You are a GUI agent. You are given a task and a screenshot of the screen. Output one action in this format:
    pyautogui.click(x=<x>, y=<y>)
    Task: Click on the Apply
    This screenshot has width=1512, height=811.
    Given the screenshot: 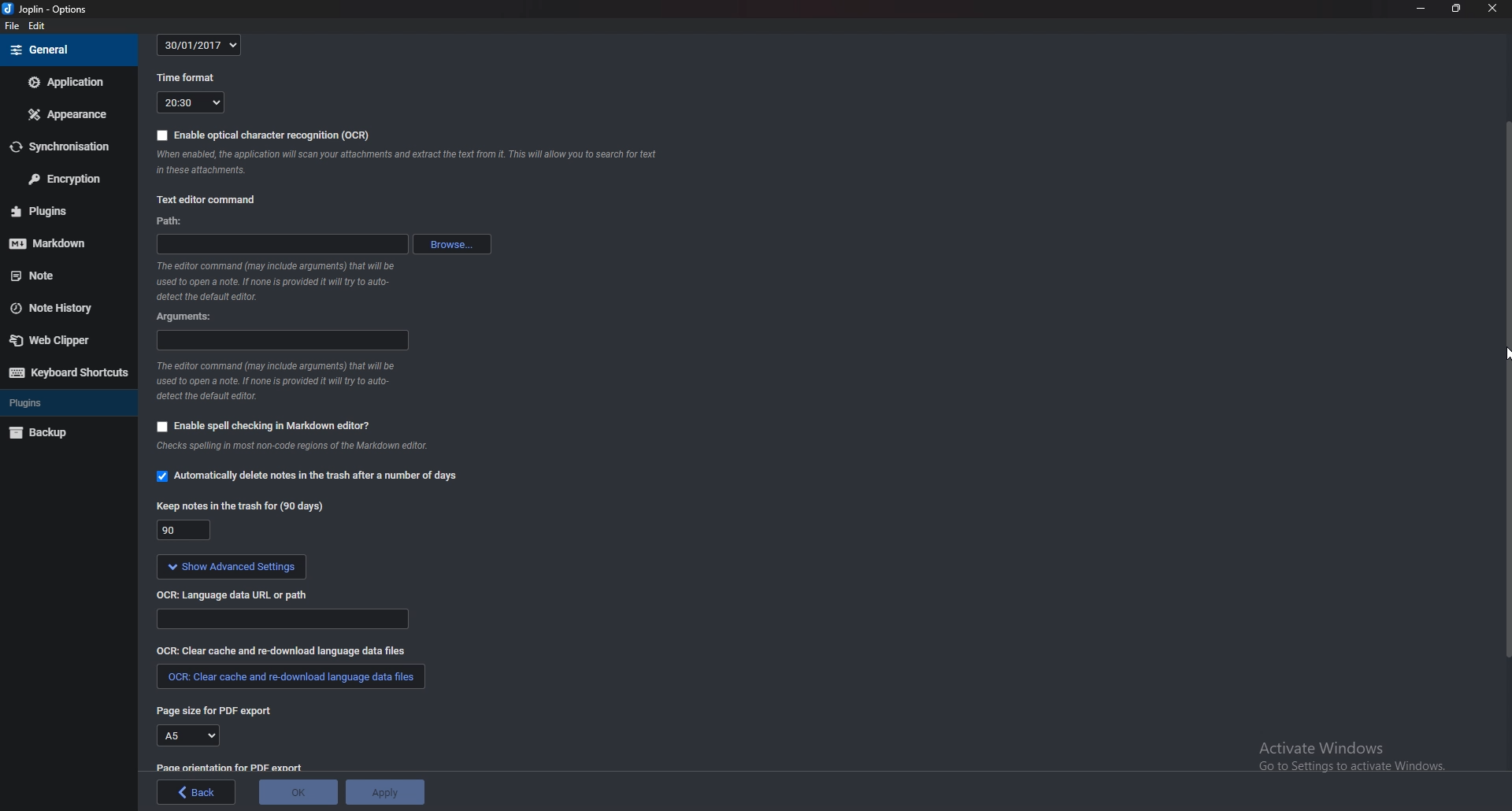 What is the action you would take?
    pyautogui.click(x=387, y=791)
    